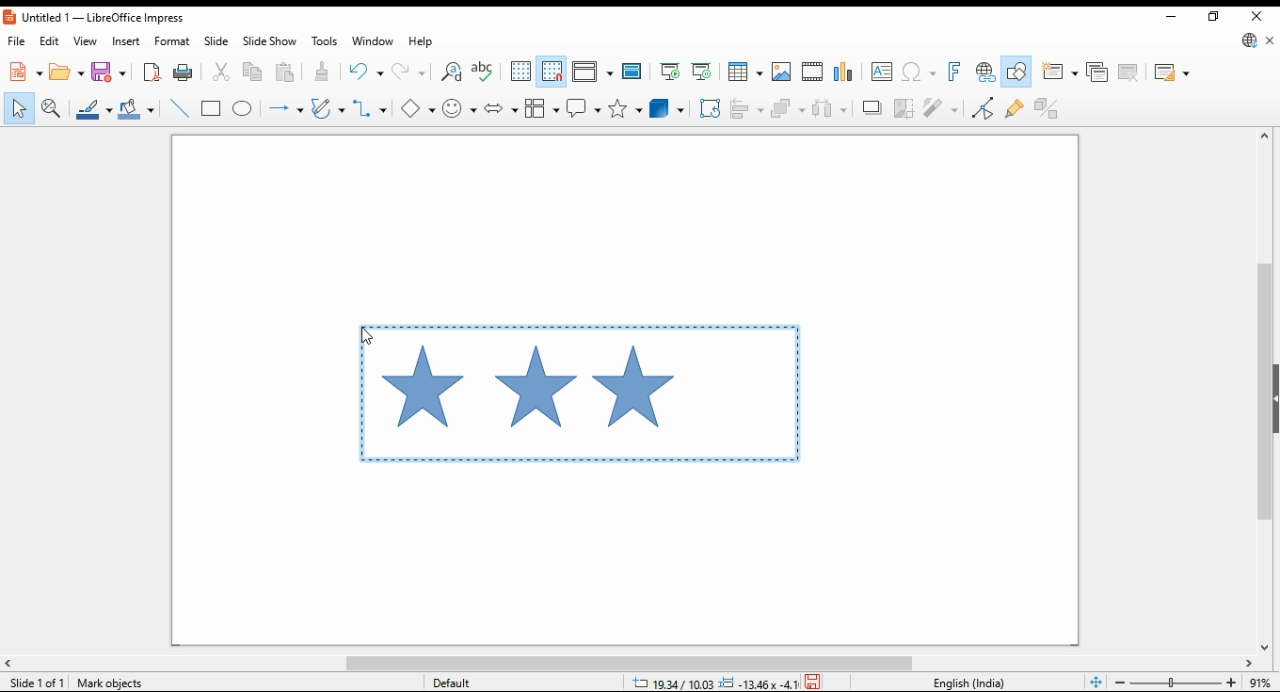 This screenshot has width=1280, height=692. Describe the element at coordinates (323, 40) in the screenshot. I see `tools` at that location.